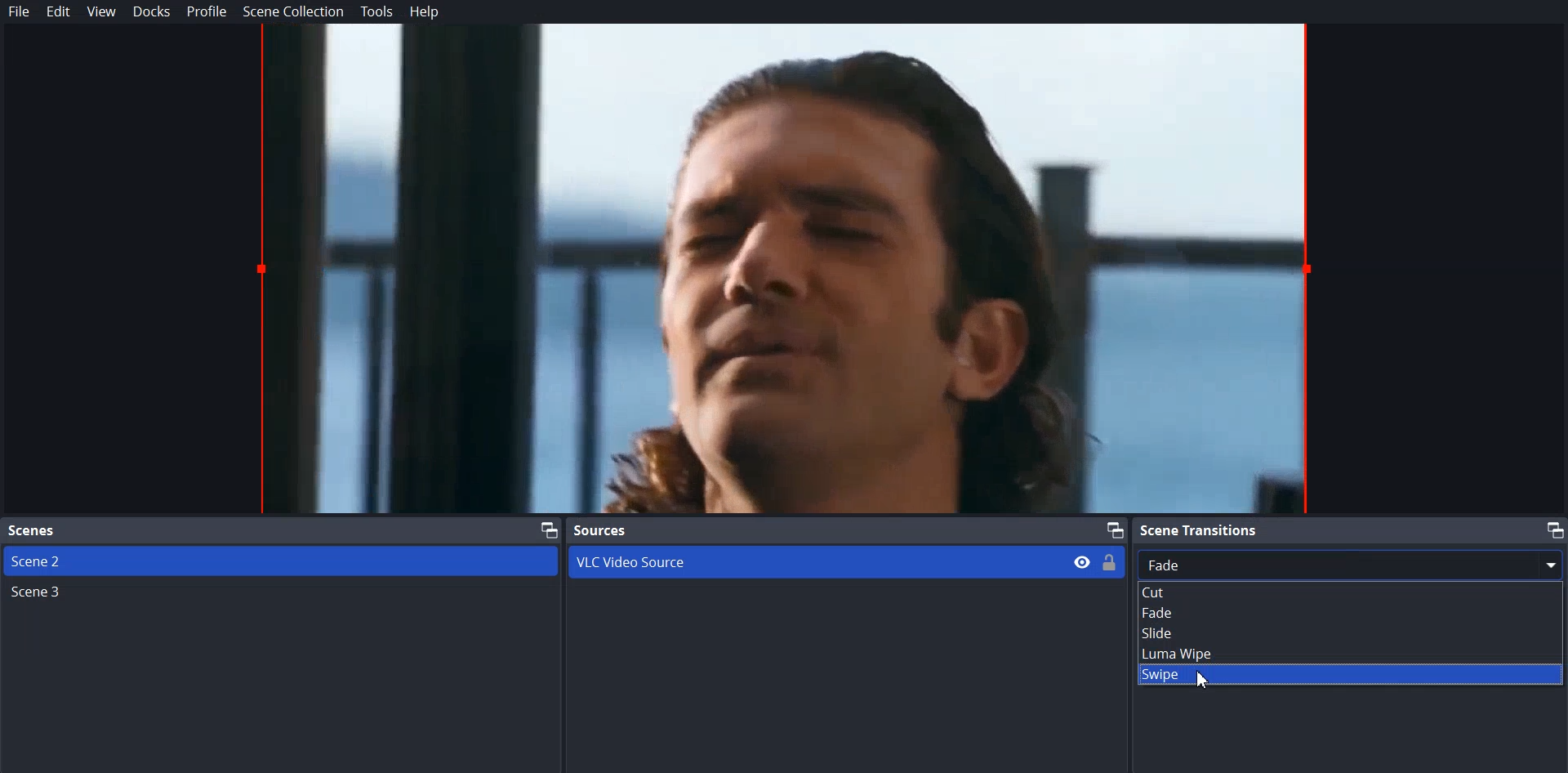 This screenshot has height=773, width=1568. Describe the element at coordinates (1204, 682) in the screenshot. I see `Cursor` at that location.